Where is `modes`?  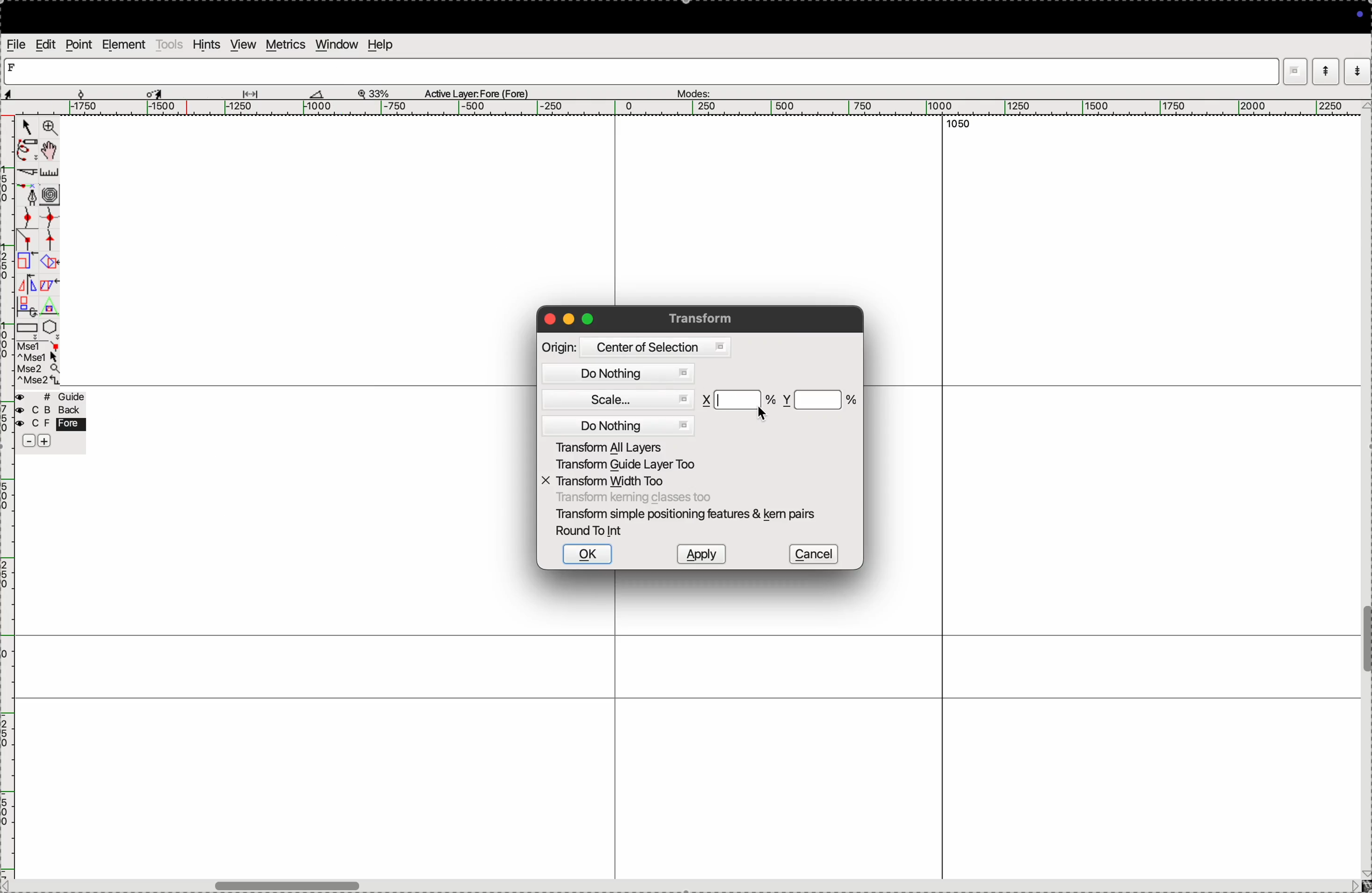
modes is located at coordinates (692, 91).